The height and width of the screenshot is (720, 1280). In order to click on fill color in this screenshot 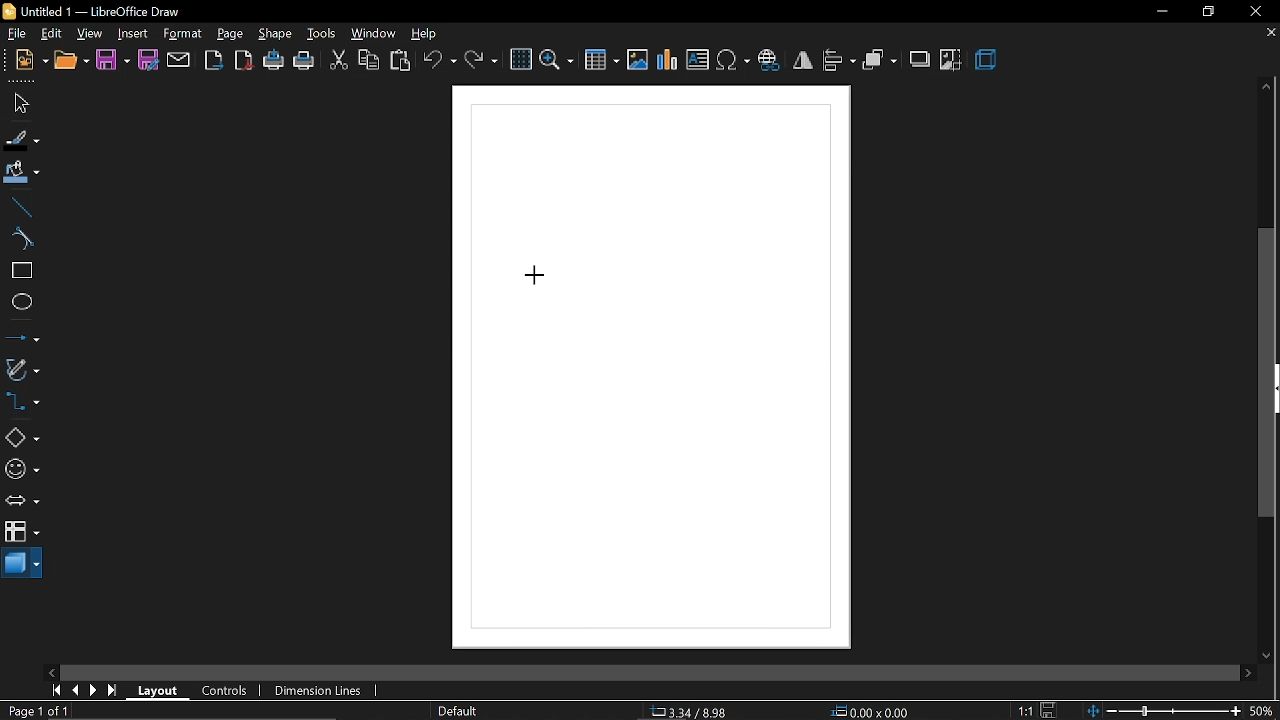, I will do `click(21, 174)`.